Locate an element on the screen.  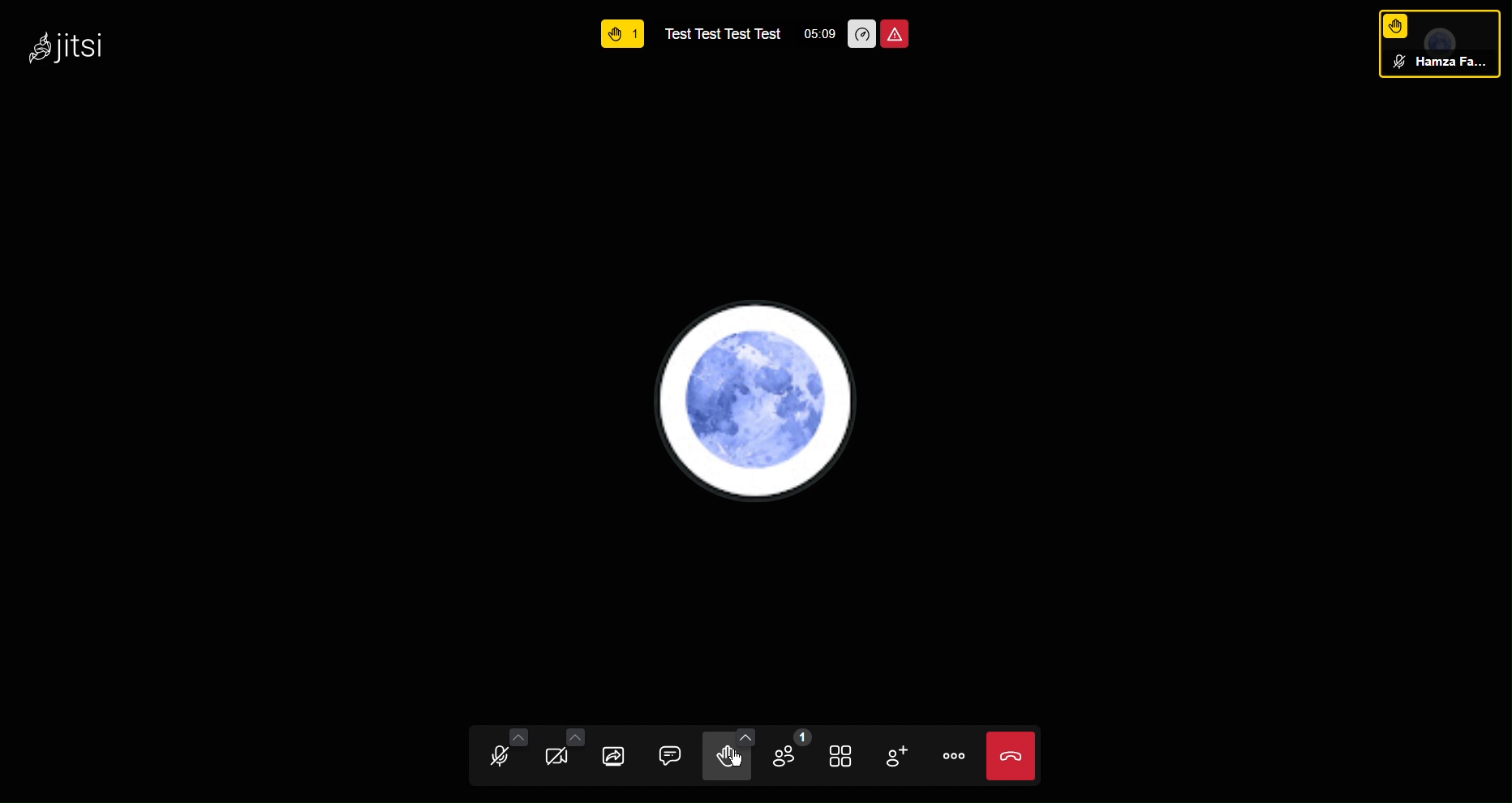
Raise Hand is located at coordinates (732, 755).